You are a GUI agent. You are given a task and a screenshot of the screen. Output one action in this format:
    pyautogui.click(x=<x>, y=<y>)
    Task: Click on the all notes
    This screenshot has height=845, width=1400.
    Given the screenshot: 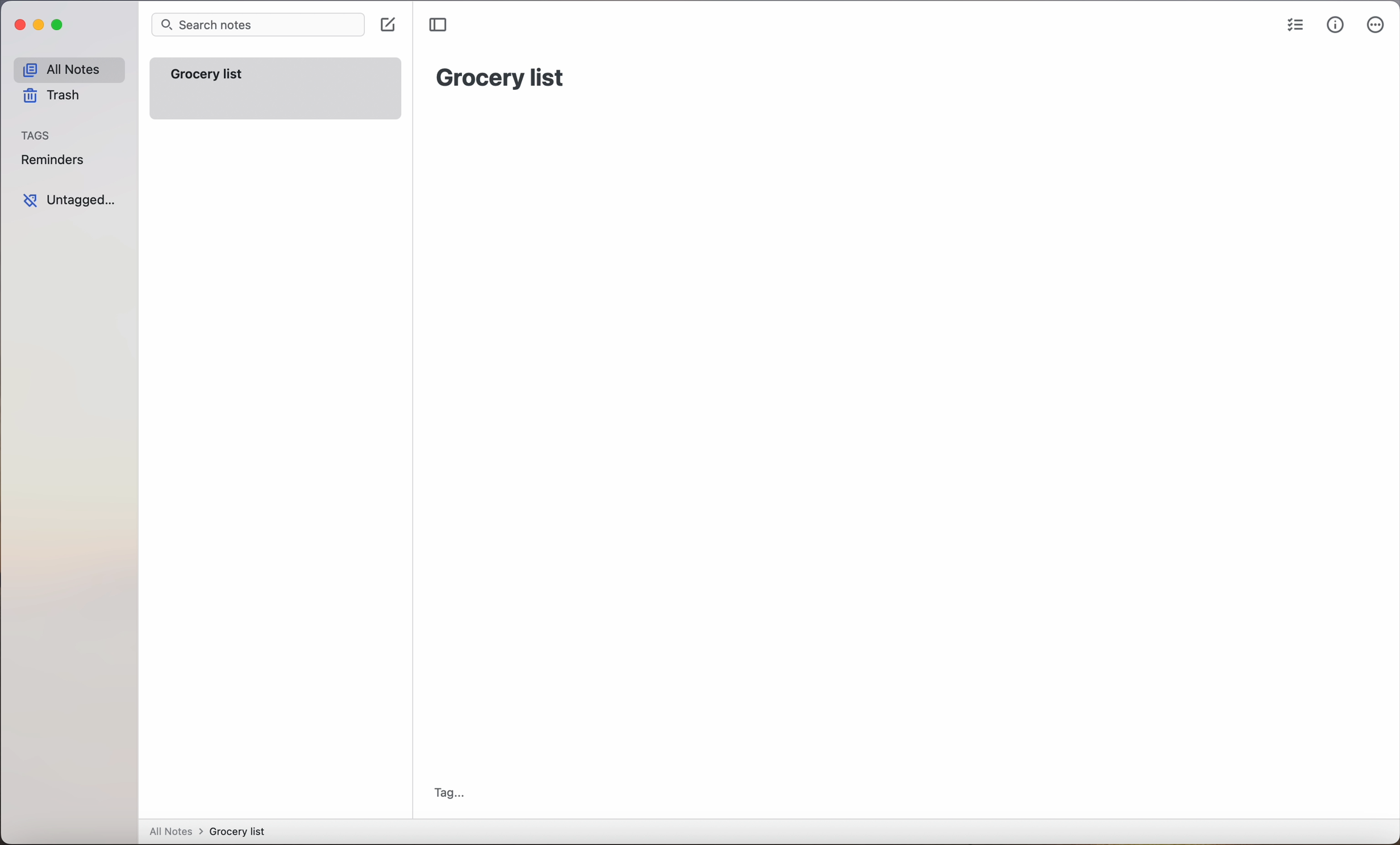 What is the action you would take?
    pyautogui.click(x=68, y=70)
    